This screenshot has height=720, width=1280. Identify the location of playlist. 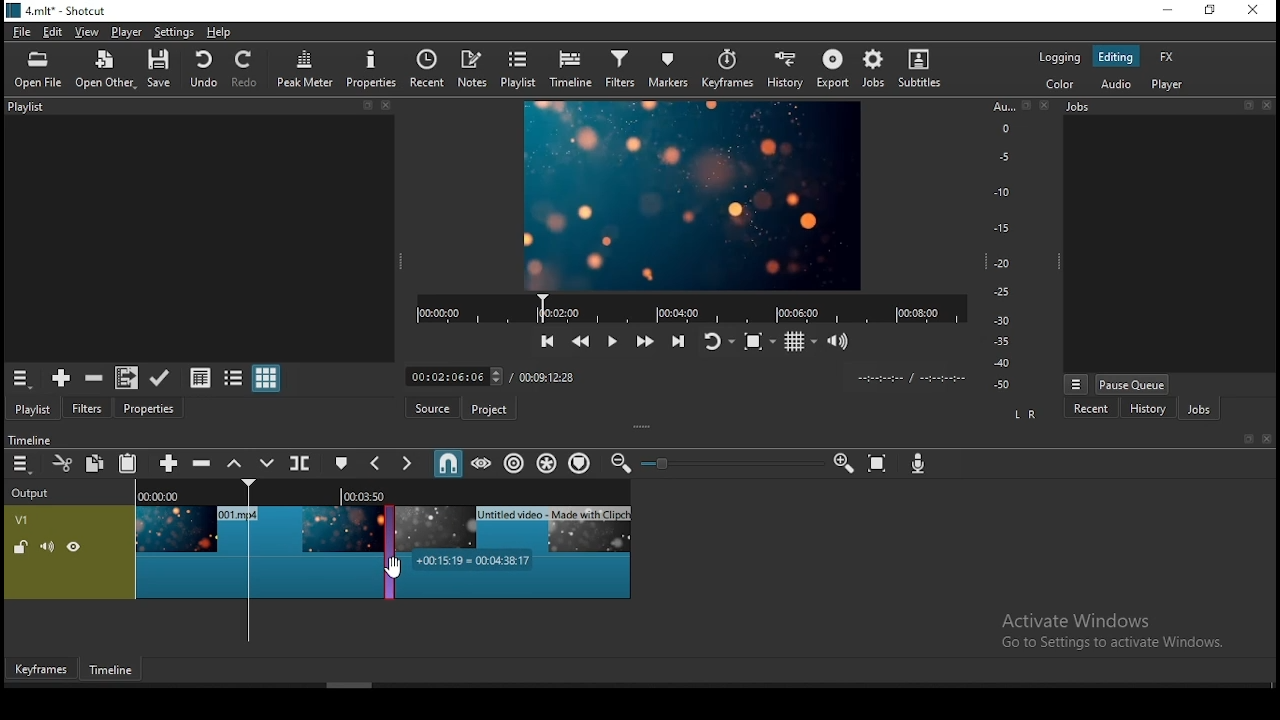
(33, 407).